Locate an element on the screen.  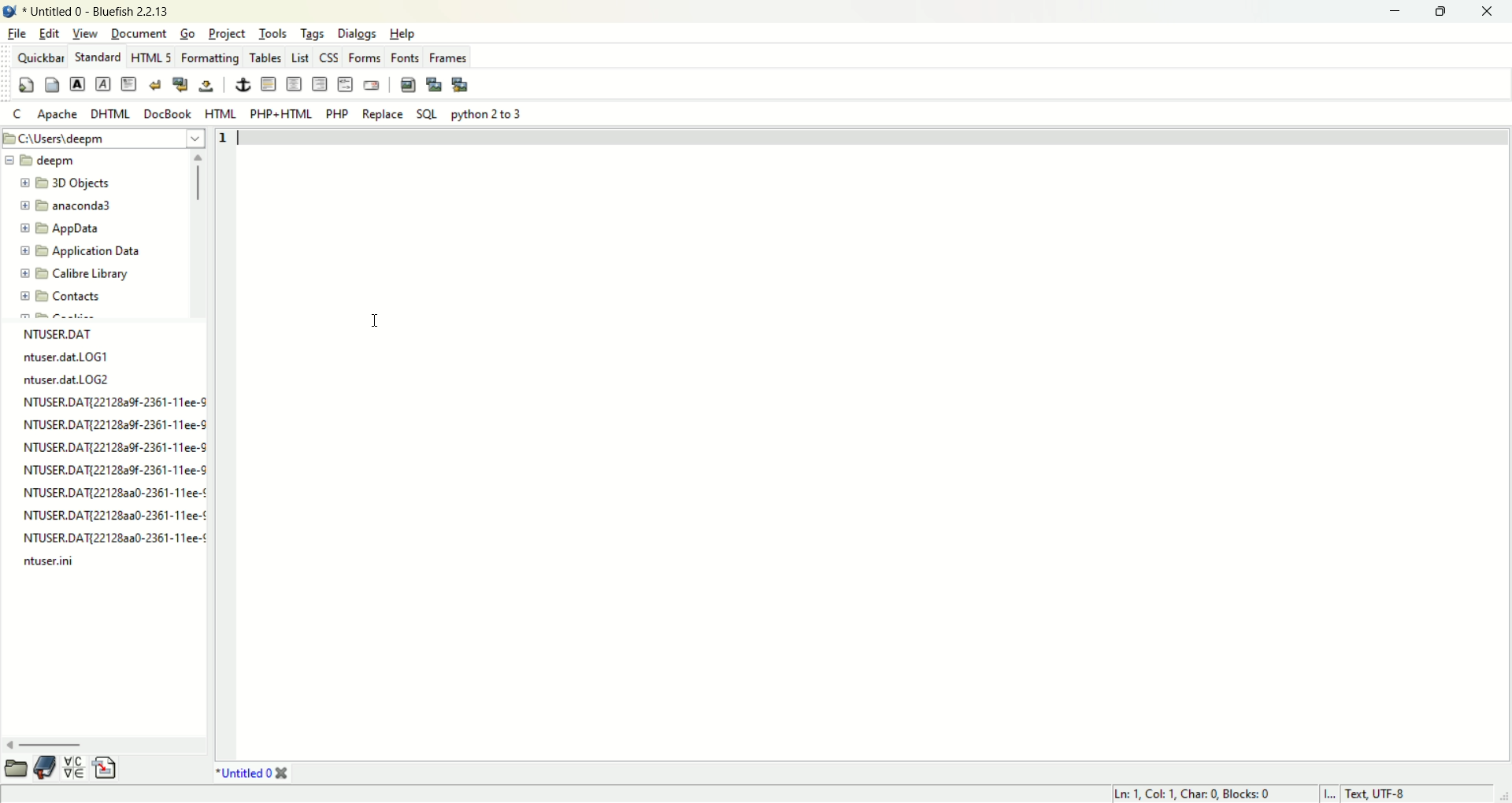
line number is located at coordinates (225, 139).